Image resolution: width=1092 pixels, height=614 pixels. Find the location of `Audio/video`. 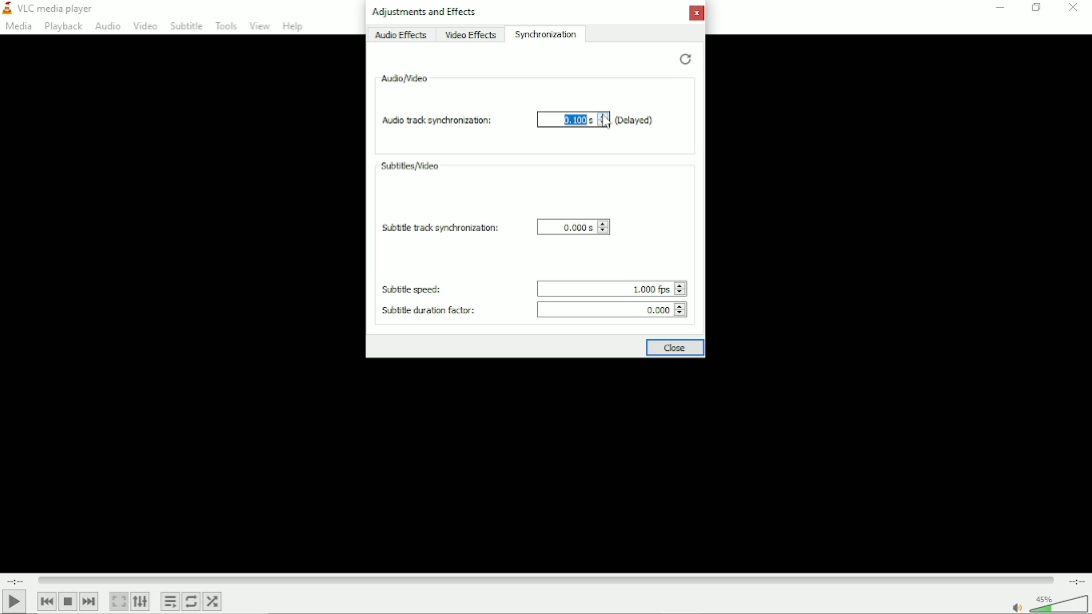

Audio/video is located at coordinates (404, 77).